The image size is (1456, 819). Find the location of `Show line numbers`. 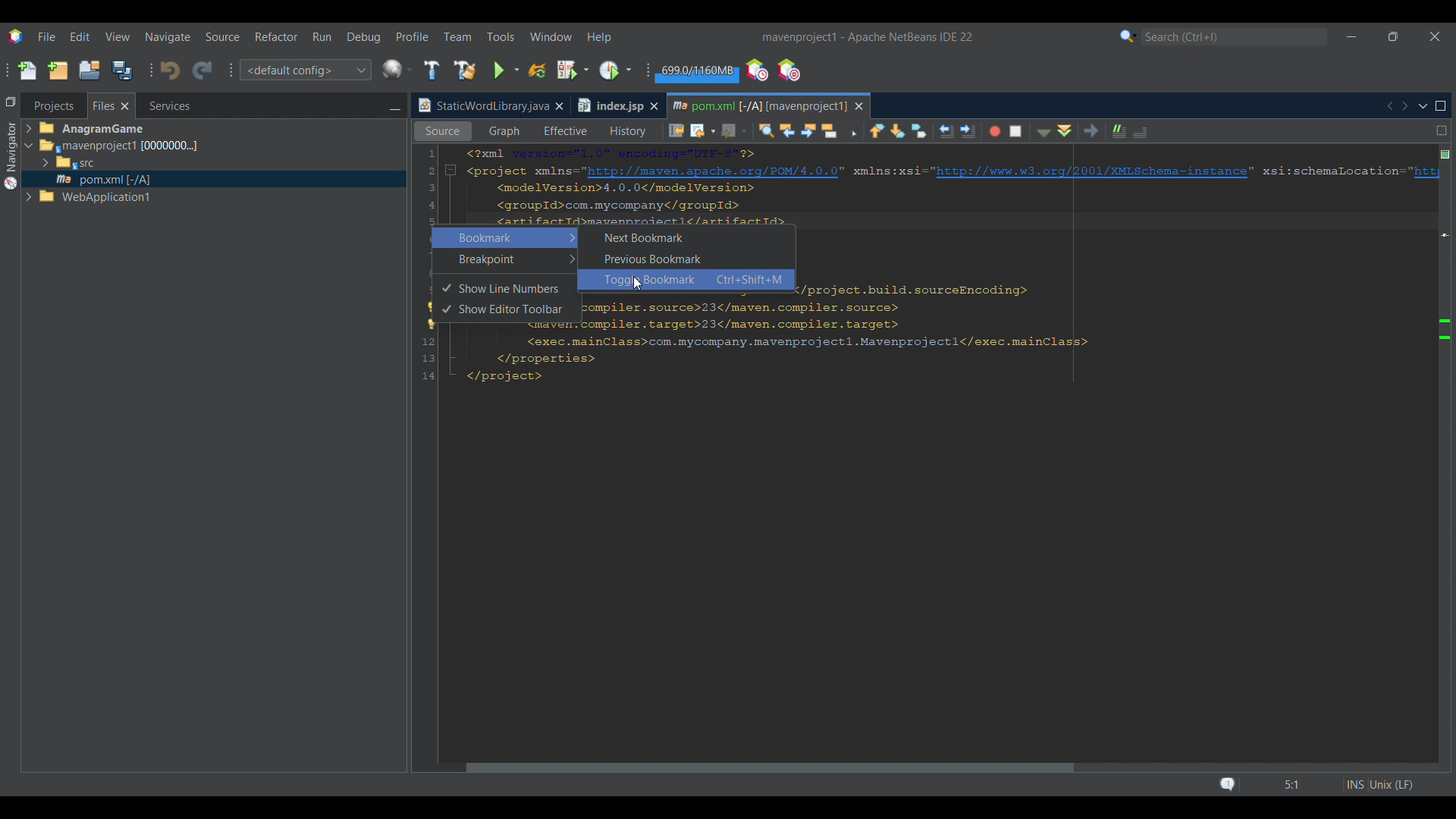

Show line numbers is located at coordinates (515, 289).